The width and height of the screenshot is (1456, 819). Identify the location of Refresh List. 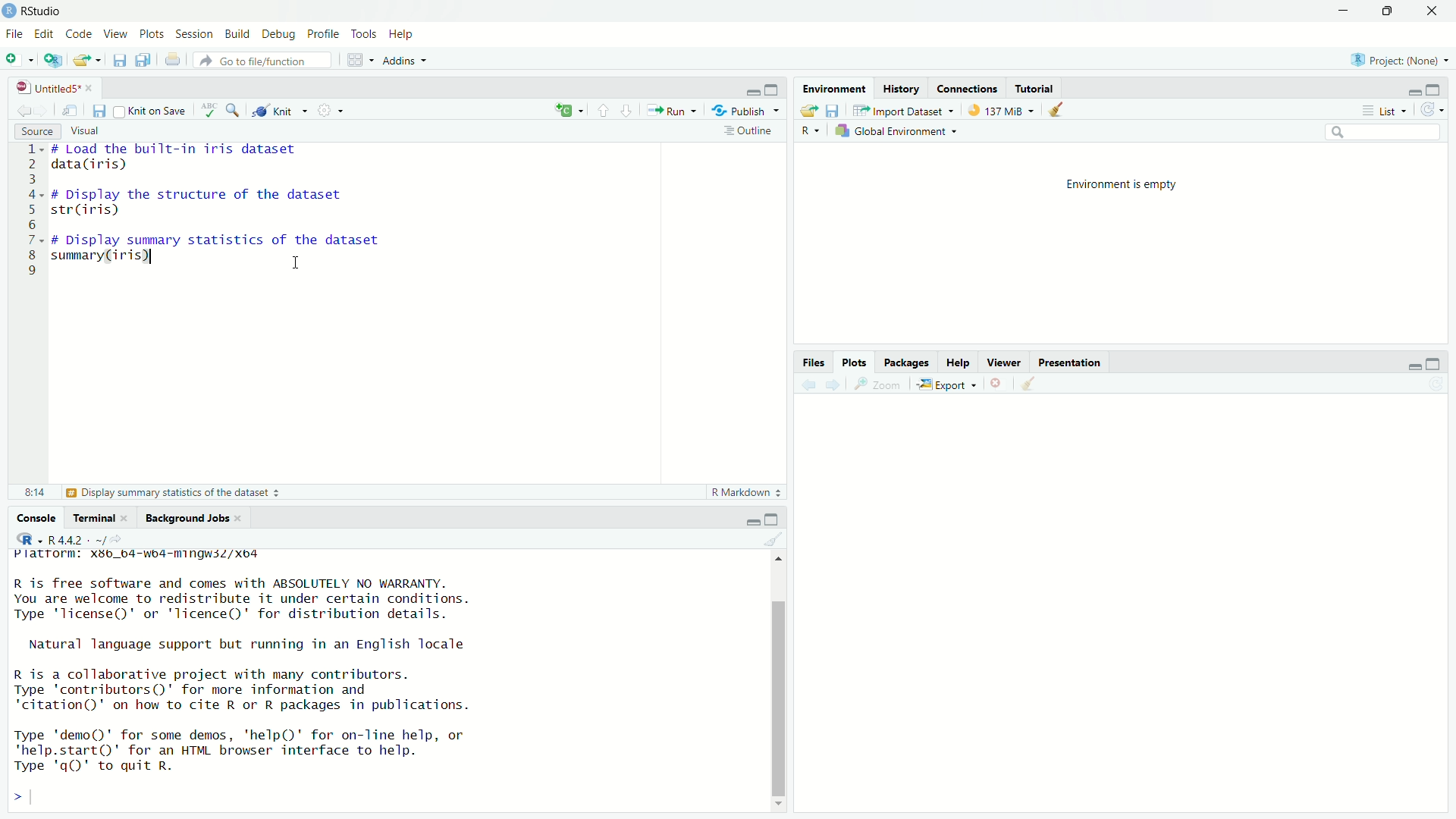
(1436, 384).